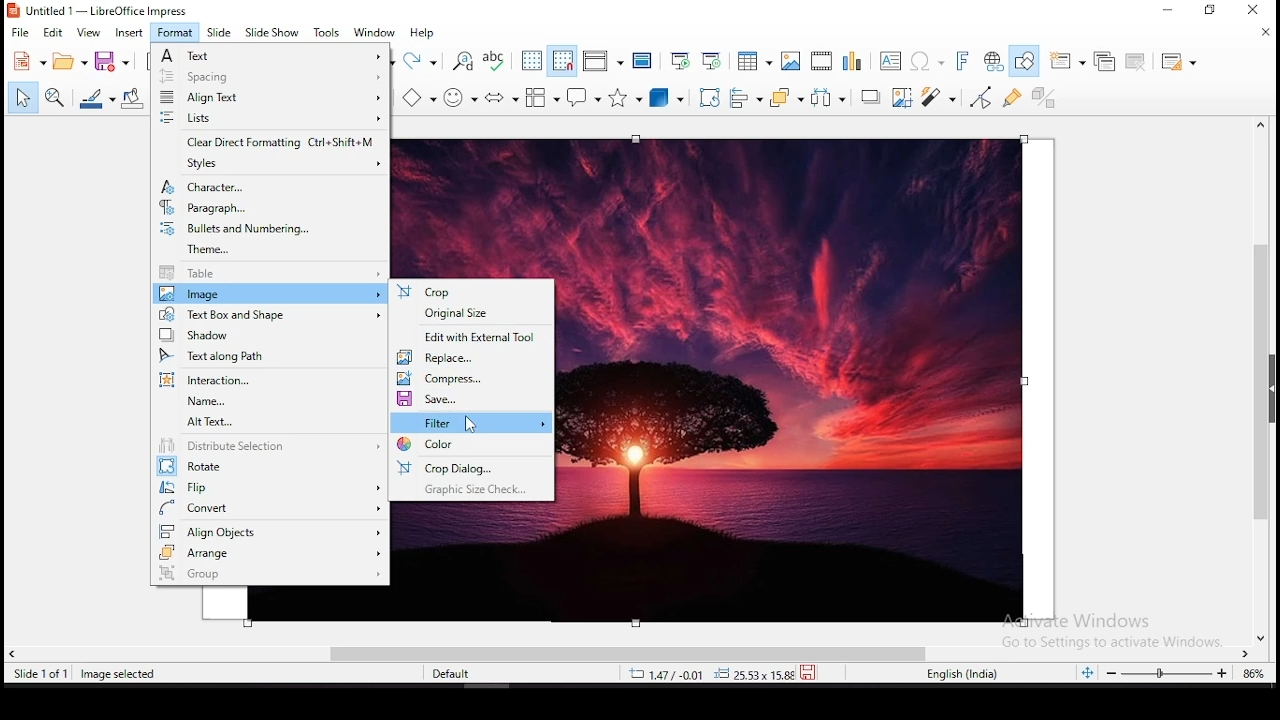  I want to click on basic shapes, so click(419, 97).